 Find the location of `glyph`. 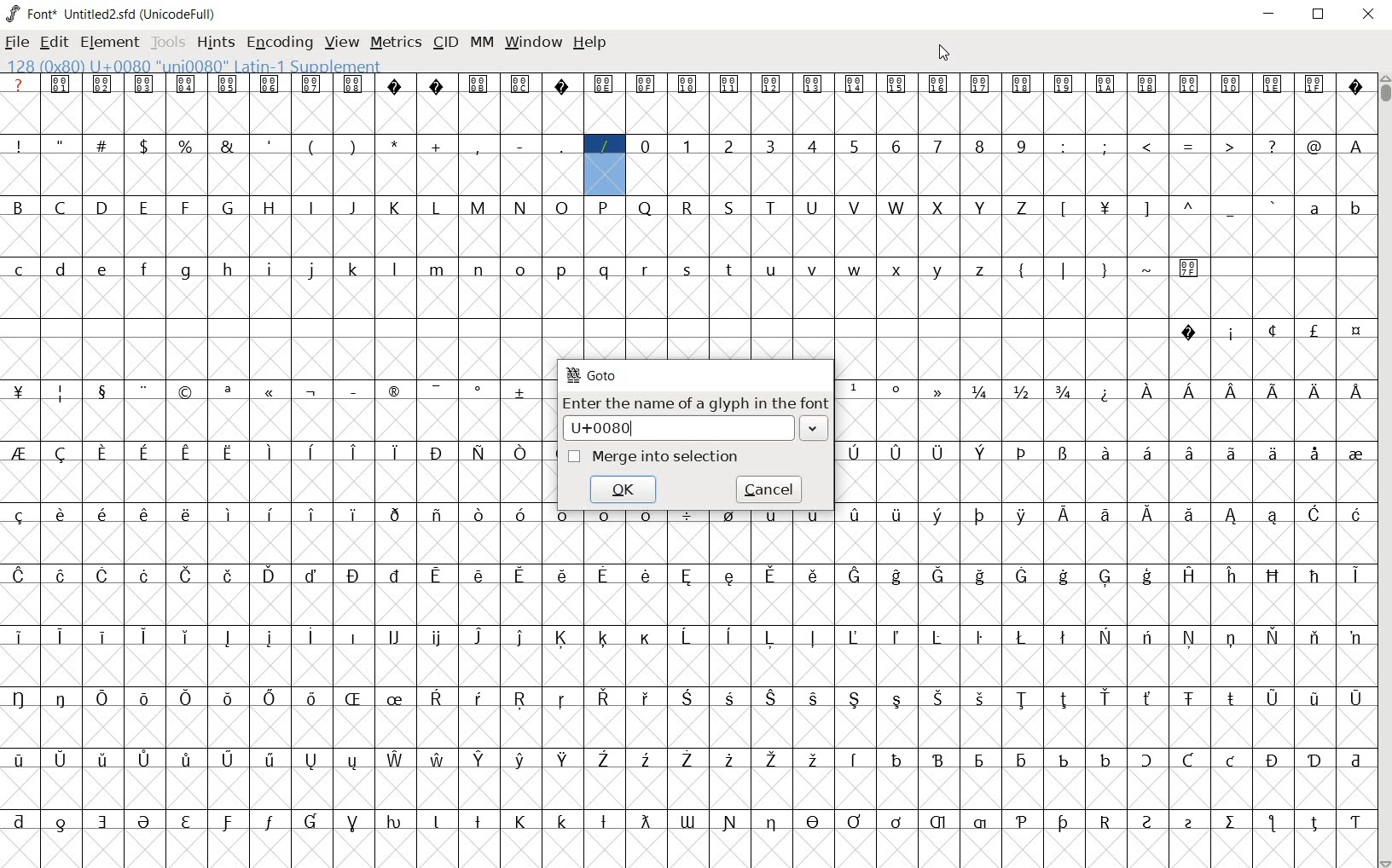

glyph is located at coordinates (1105, 271).